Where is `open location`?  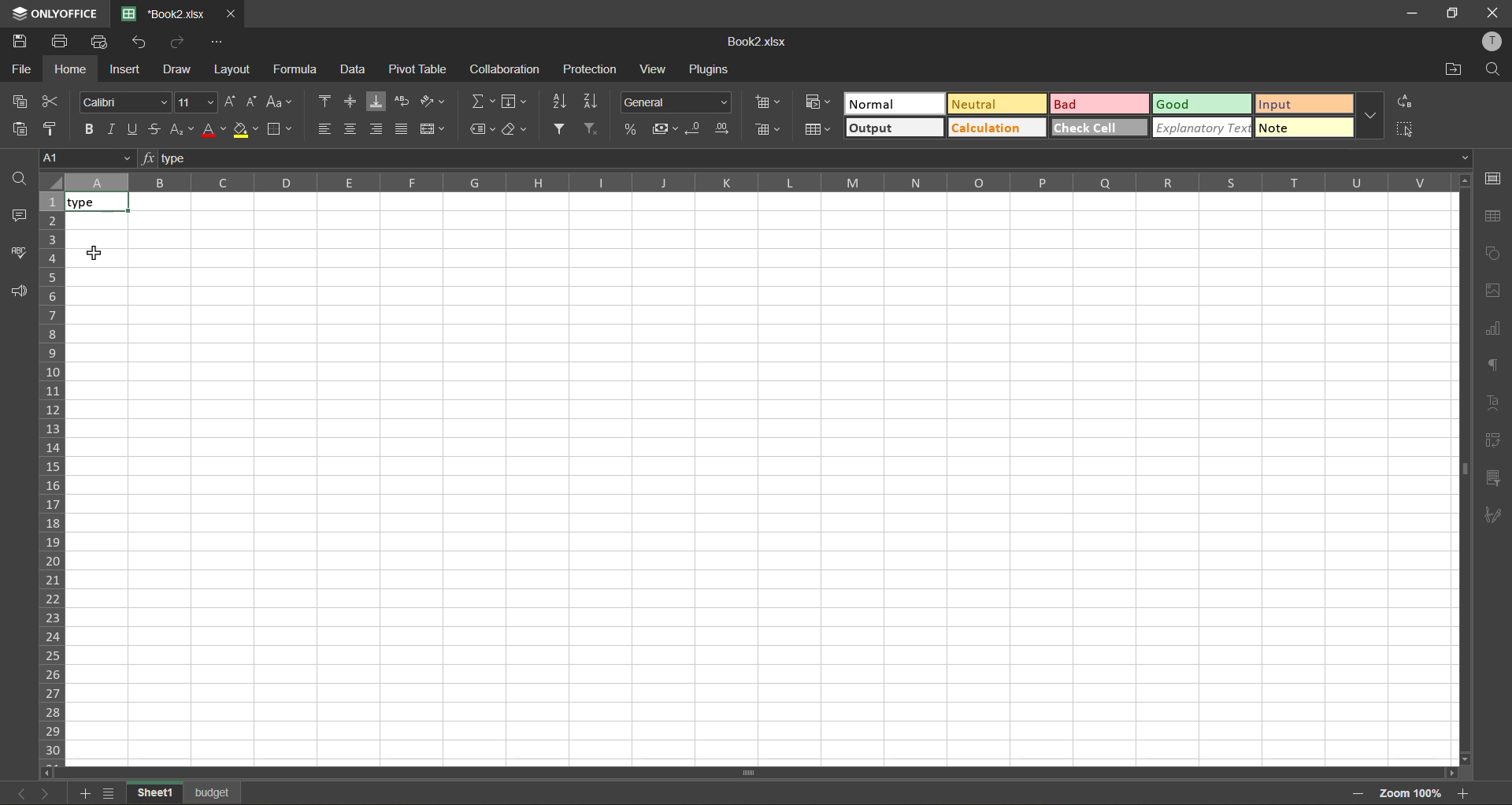 open location is located at coordinates (1455, 69).